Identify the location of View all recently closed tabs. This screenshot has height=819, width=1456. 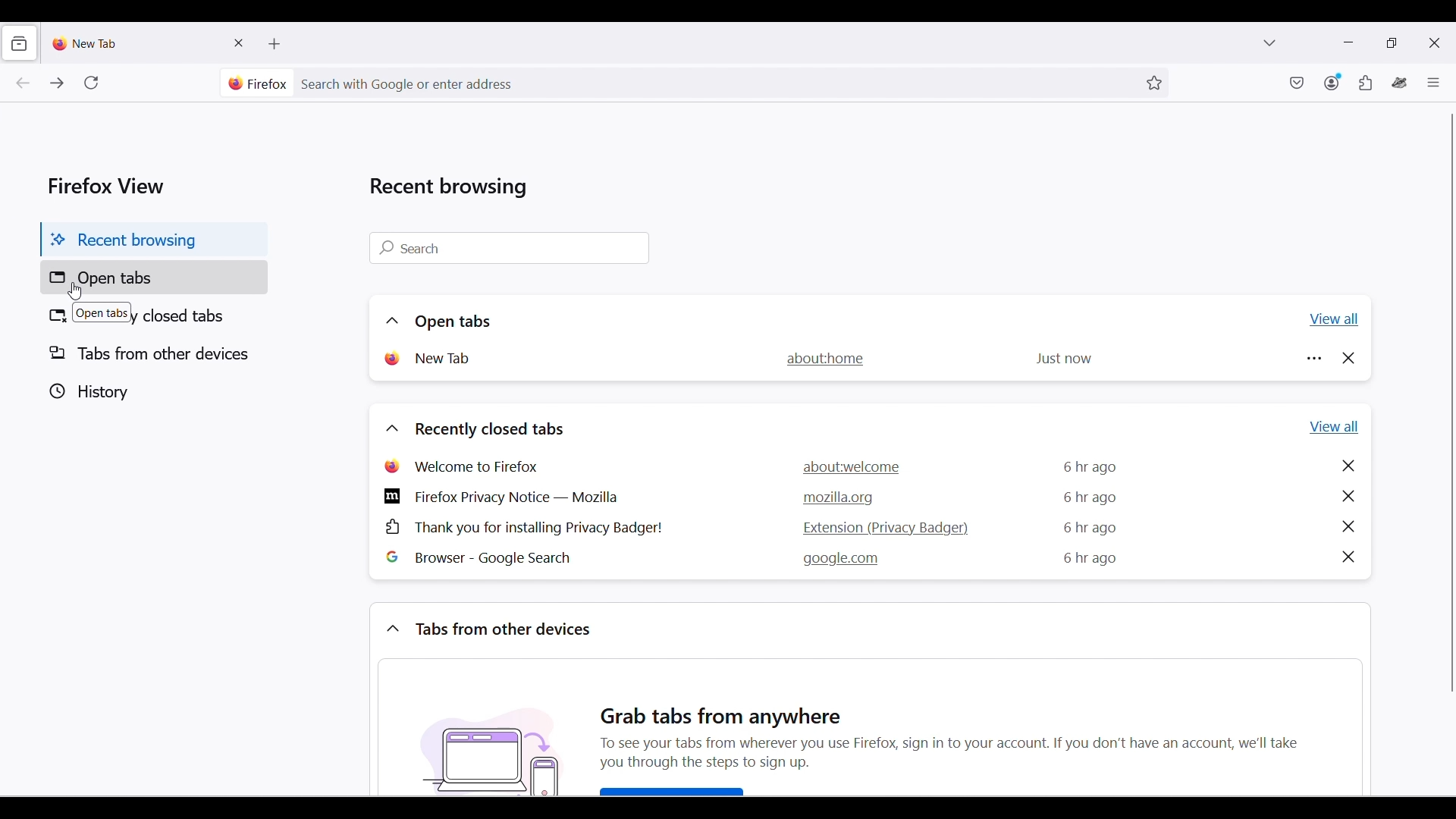
(1335, 427).